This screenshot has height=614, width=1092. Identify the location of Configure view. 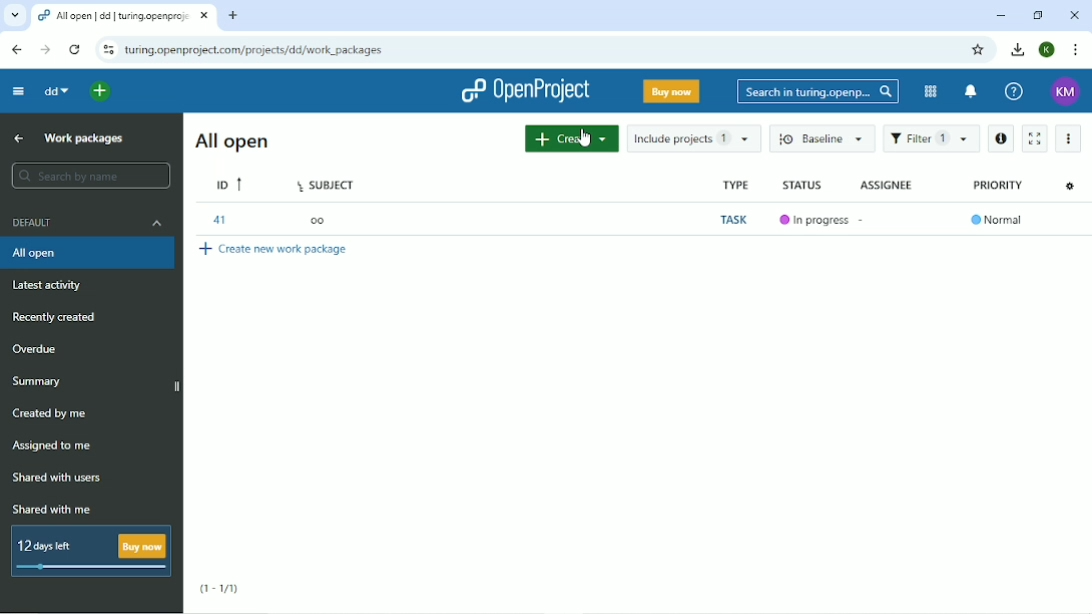
(1071, 185).